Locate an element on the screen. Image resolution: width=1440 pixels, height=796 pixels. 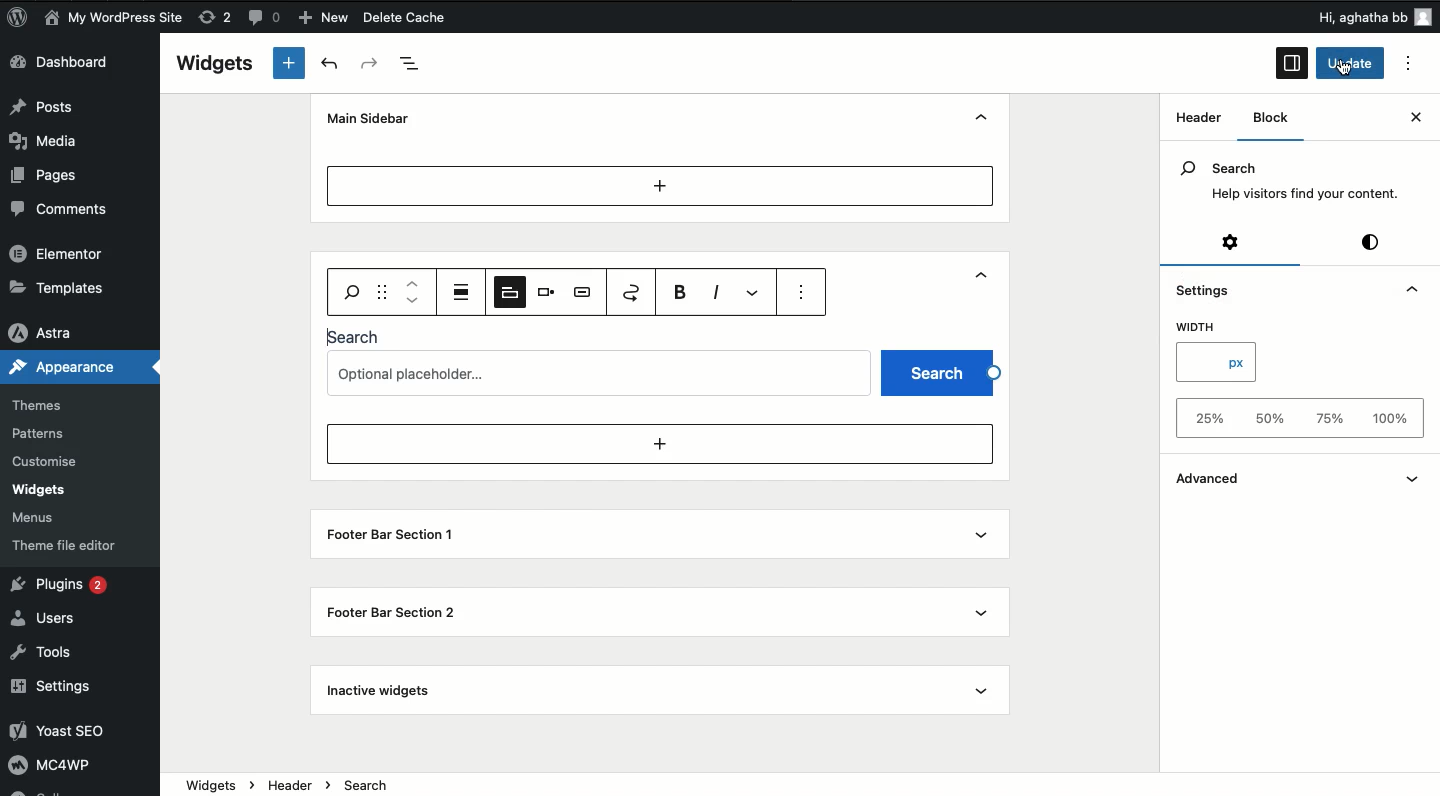
Hide is located at coordinates (985, 117).